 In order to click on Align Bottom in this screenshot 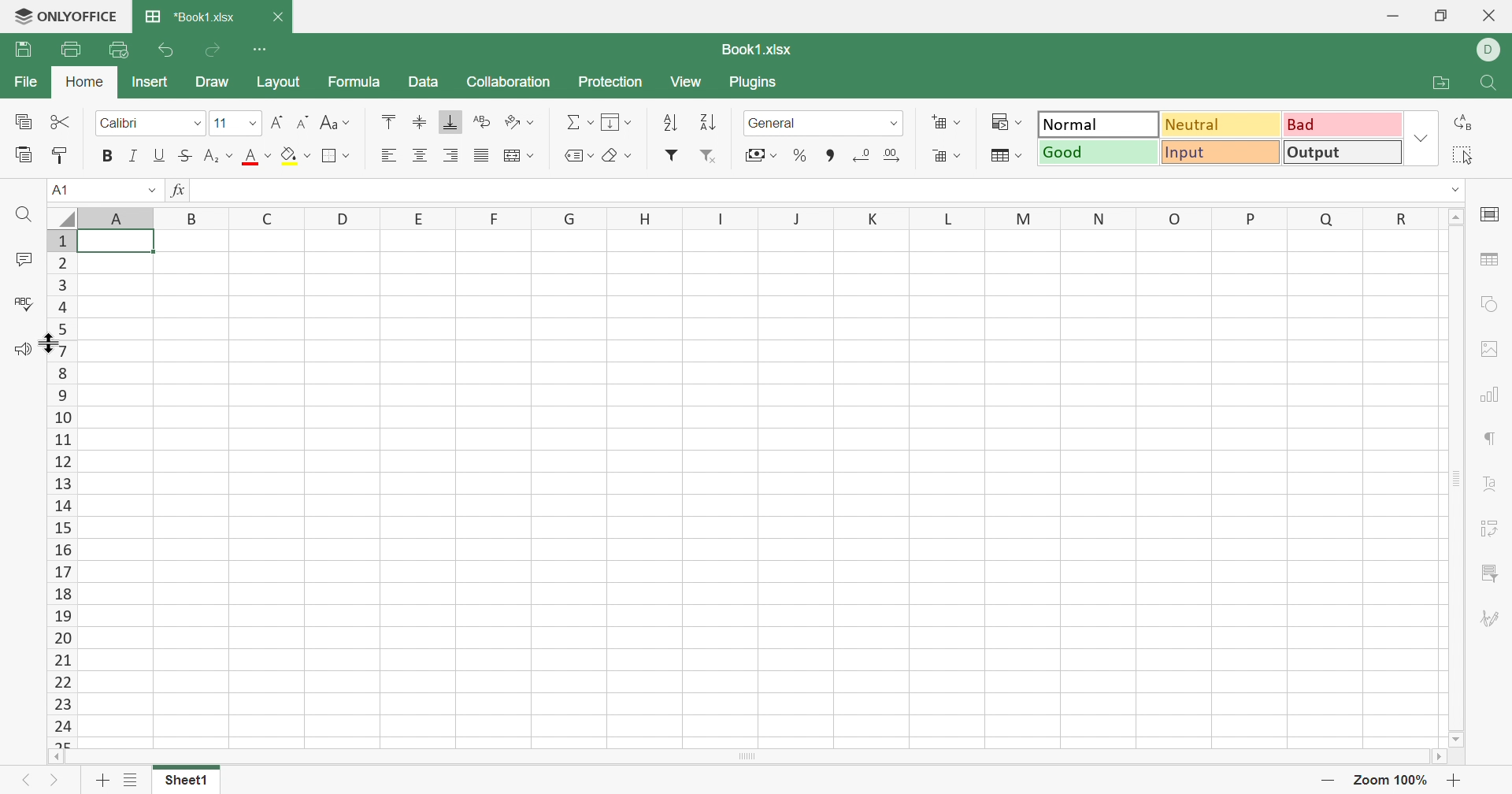, I will do `click(446, 123)`.